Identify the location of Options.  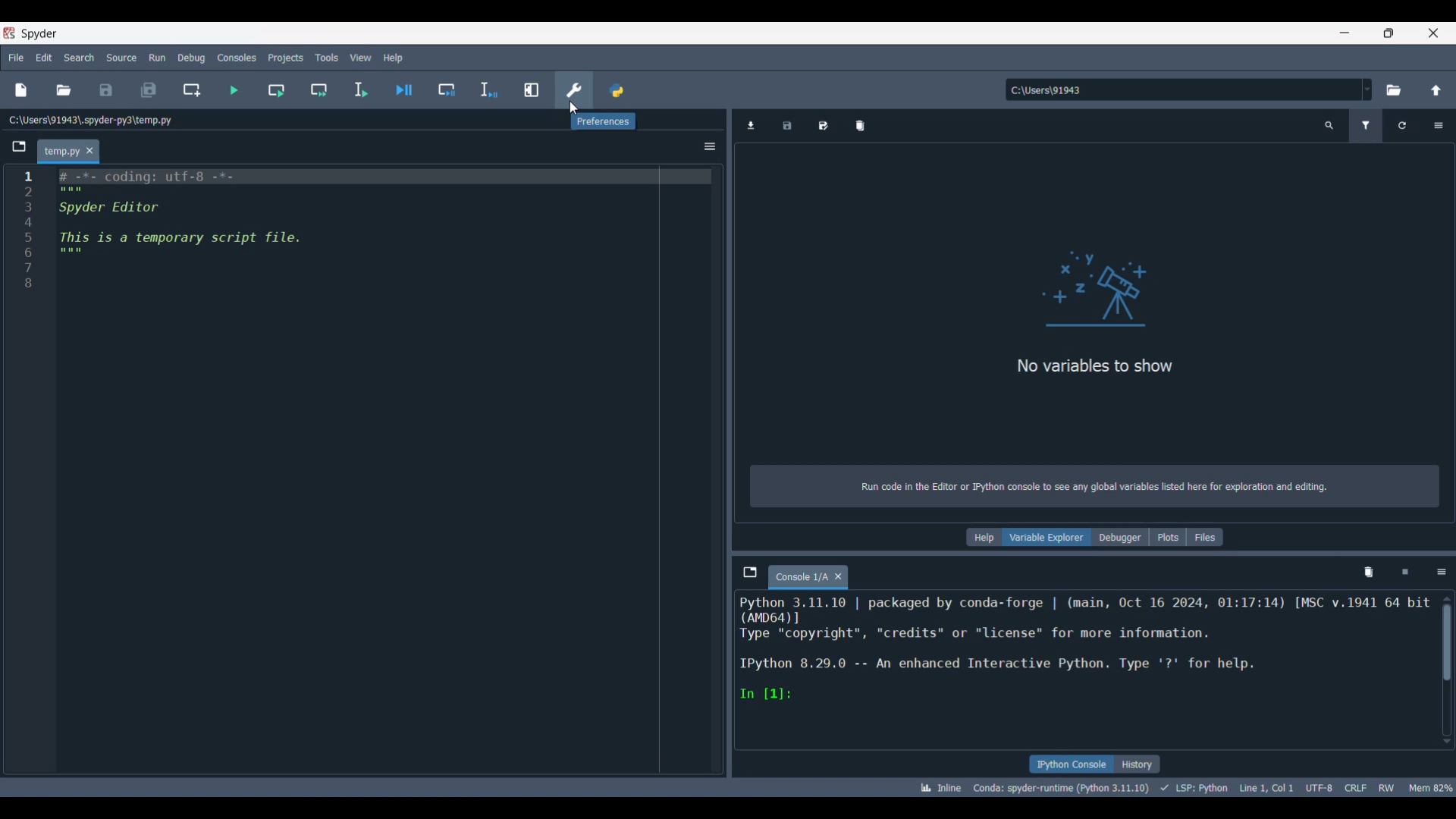
(1442, 573).